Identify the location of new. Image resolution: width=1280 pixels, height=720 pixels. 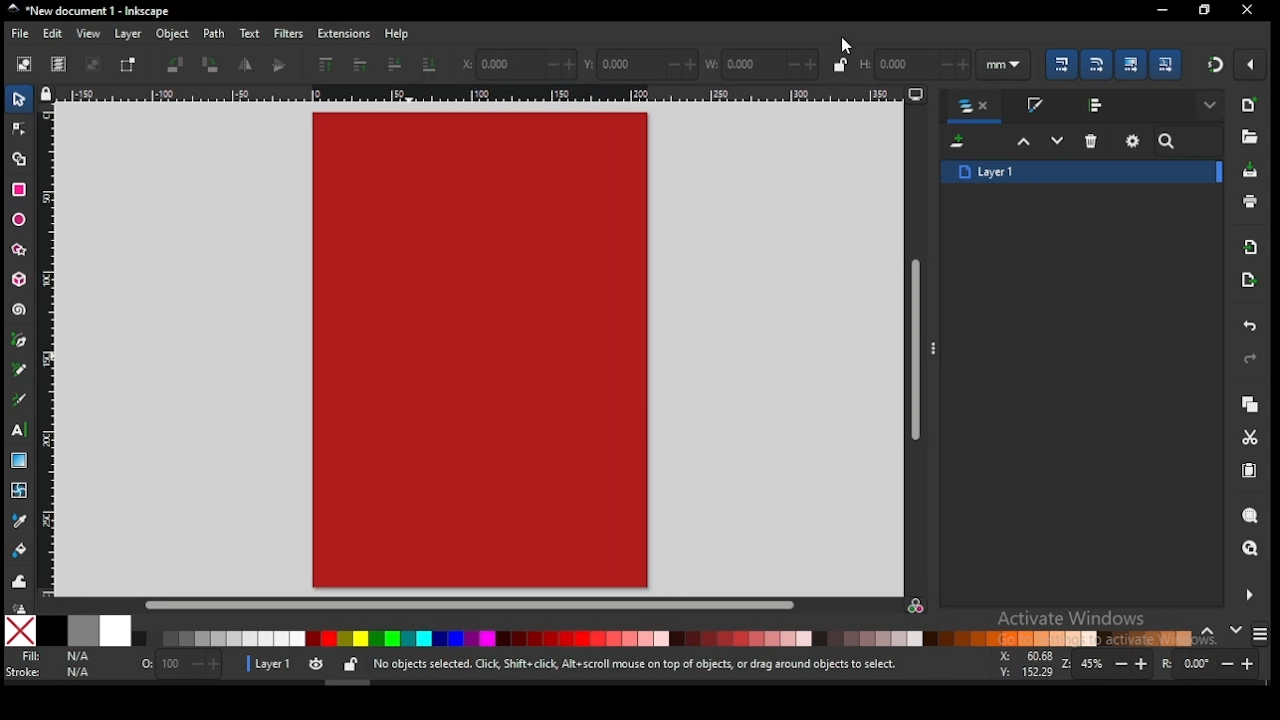
(1248, 105).